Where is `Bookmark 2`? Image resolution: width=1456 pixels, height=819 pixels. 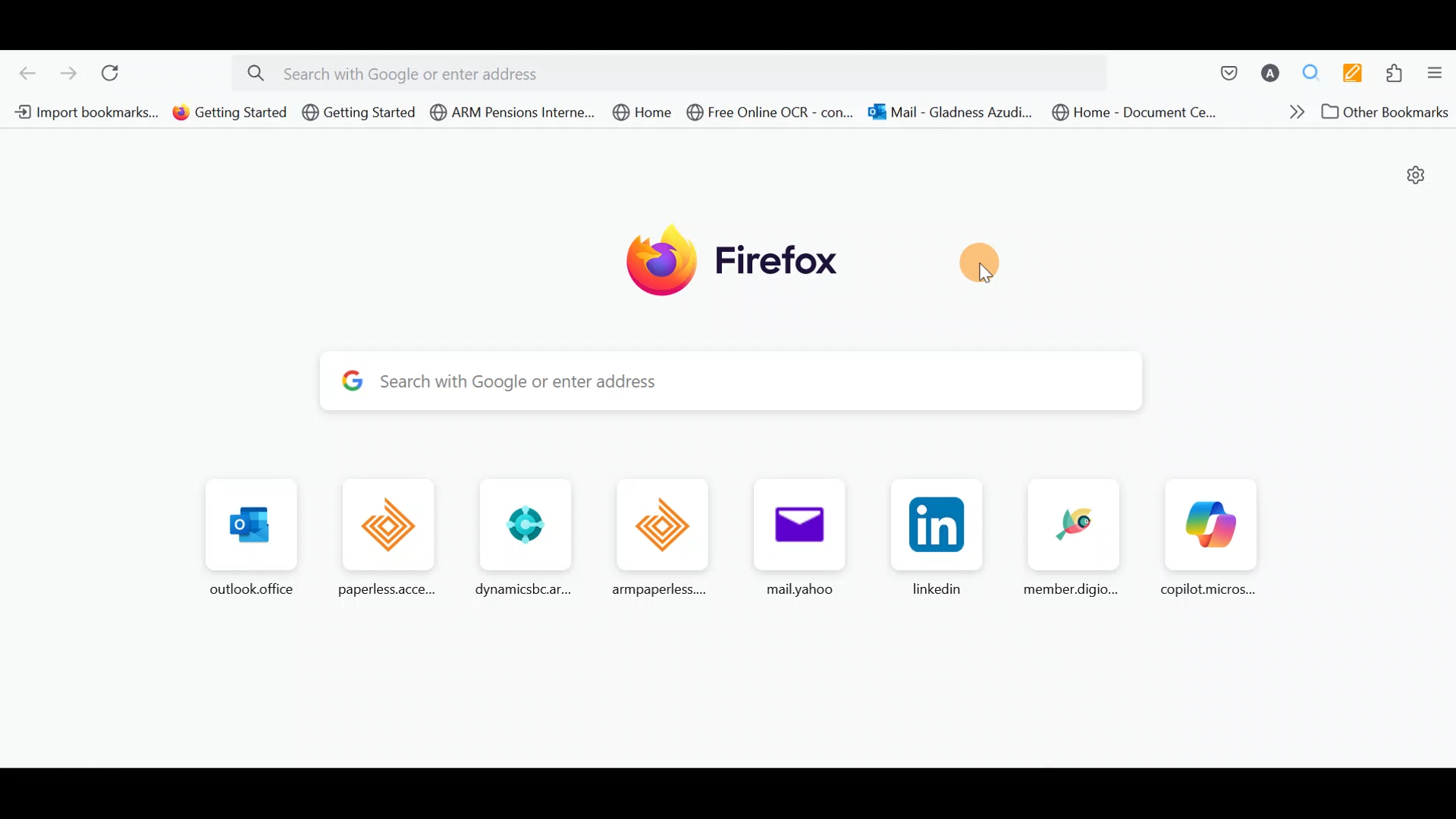 Bookmark 2 is located at coordinates (226, 116).